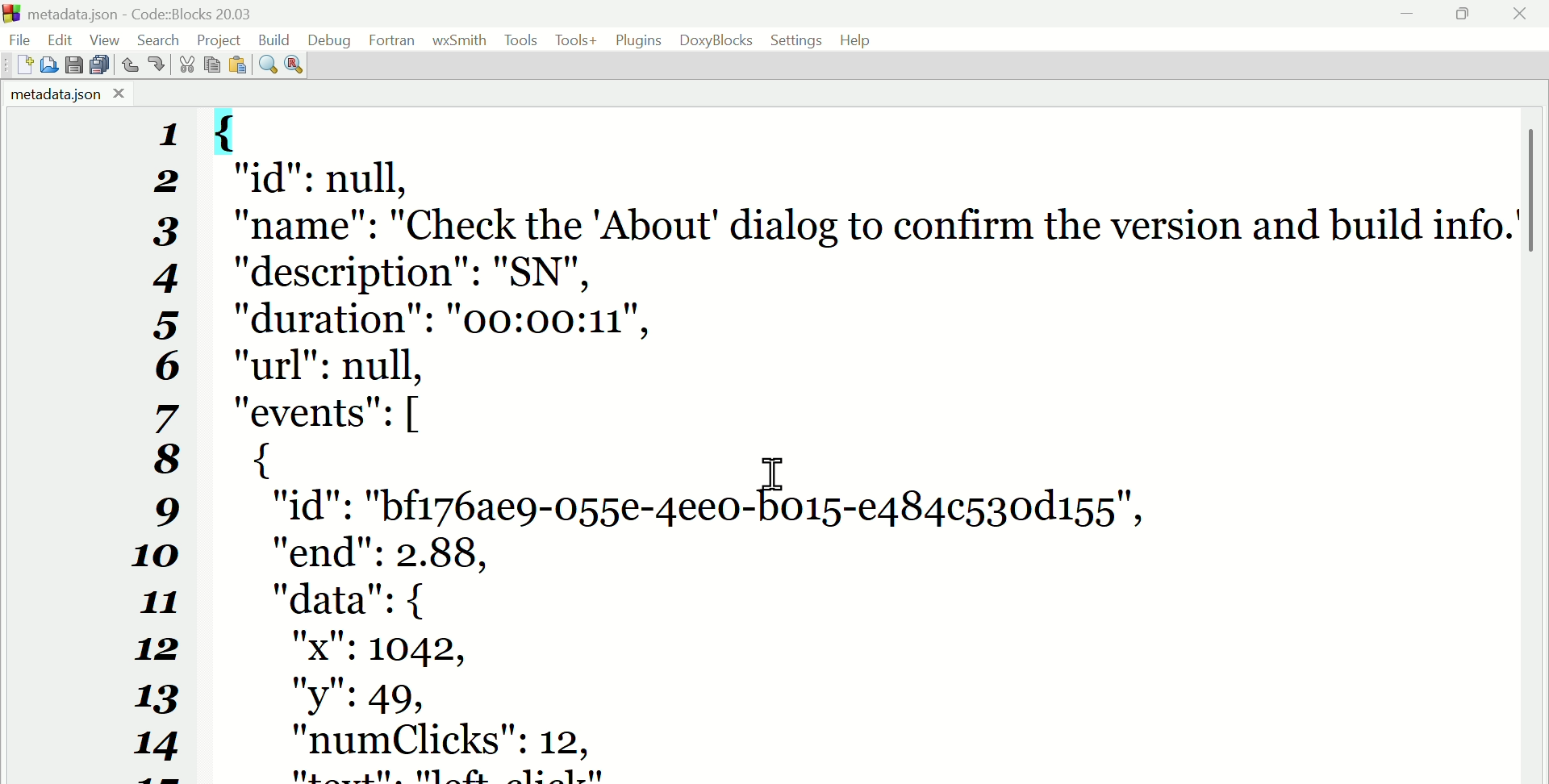 This screenshot has width=1549, height=784. What do you see at coordinates (52, 63) in the screenshot?
I see `Open` at bounding box center [52, 63].